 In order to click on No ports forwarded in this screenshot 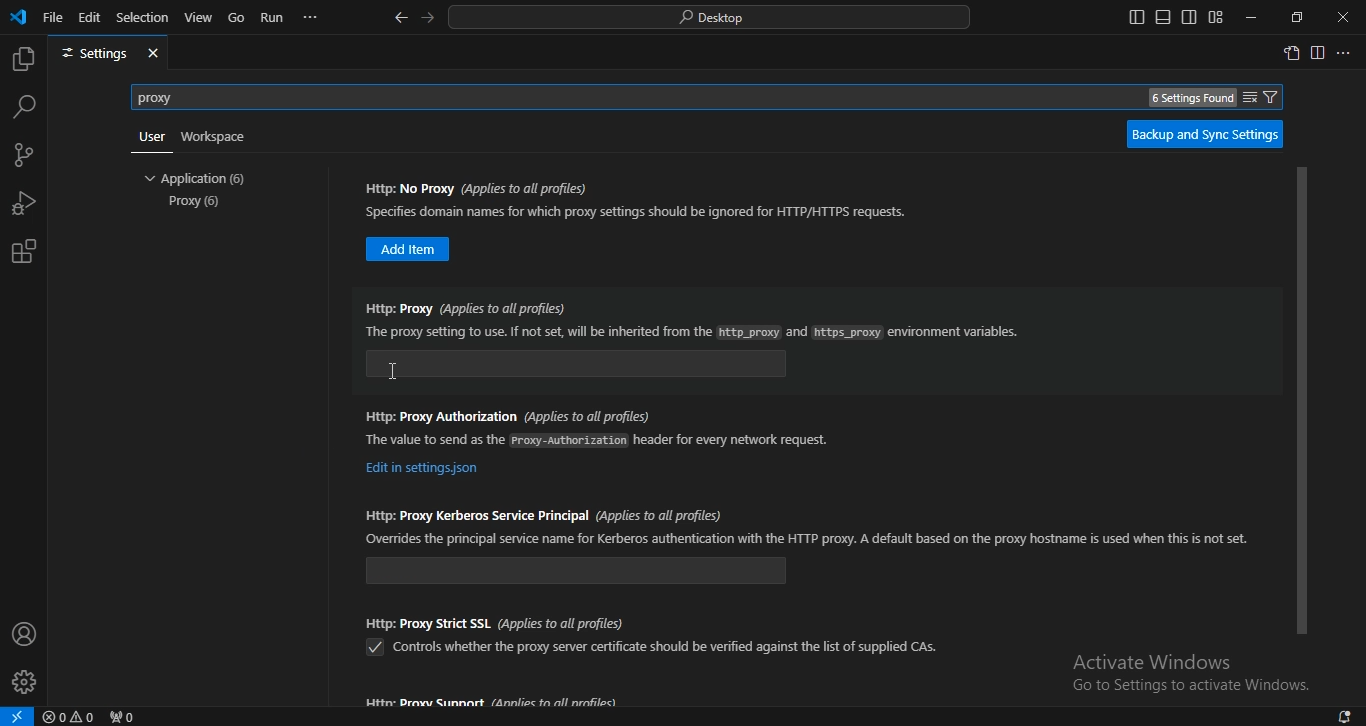, I will do `click(125, 715)`.